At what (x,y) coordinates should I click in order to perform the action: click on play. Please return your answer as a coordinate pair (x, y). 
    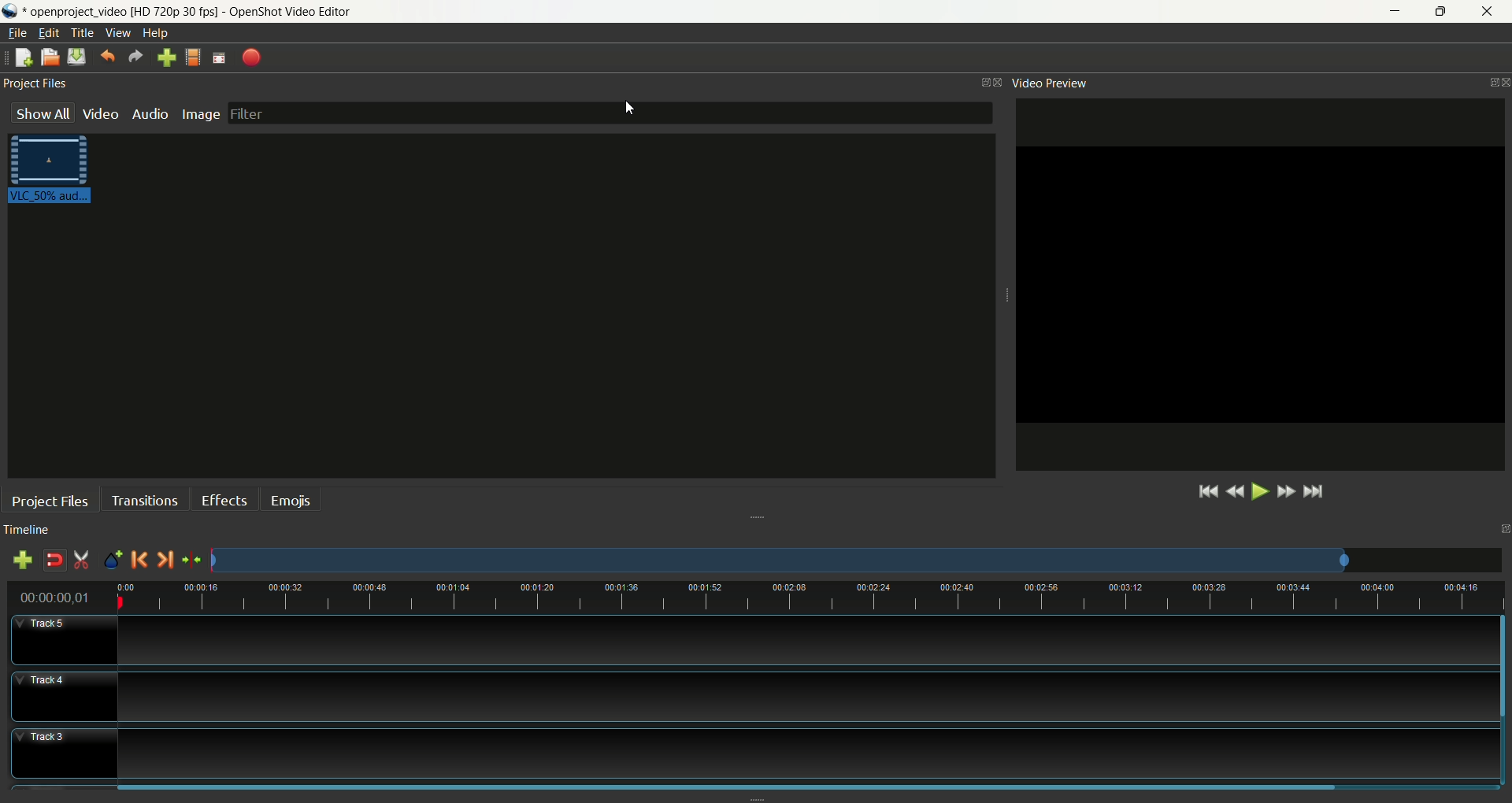
    Looking at the image, I should click on (1258, 491).